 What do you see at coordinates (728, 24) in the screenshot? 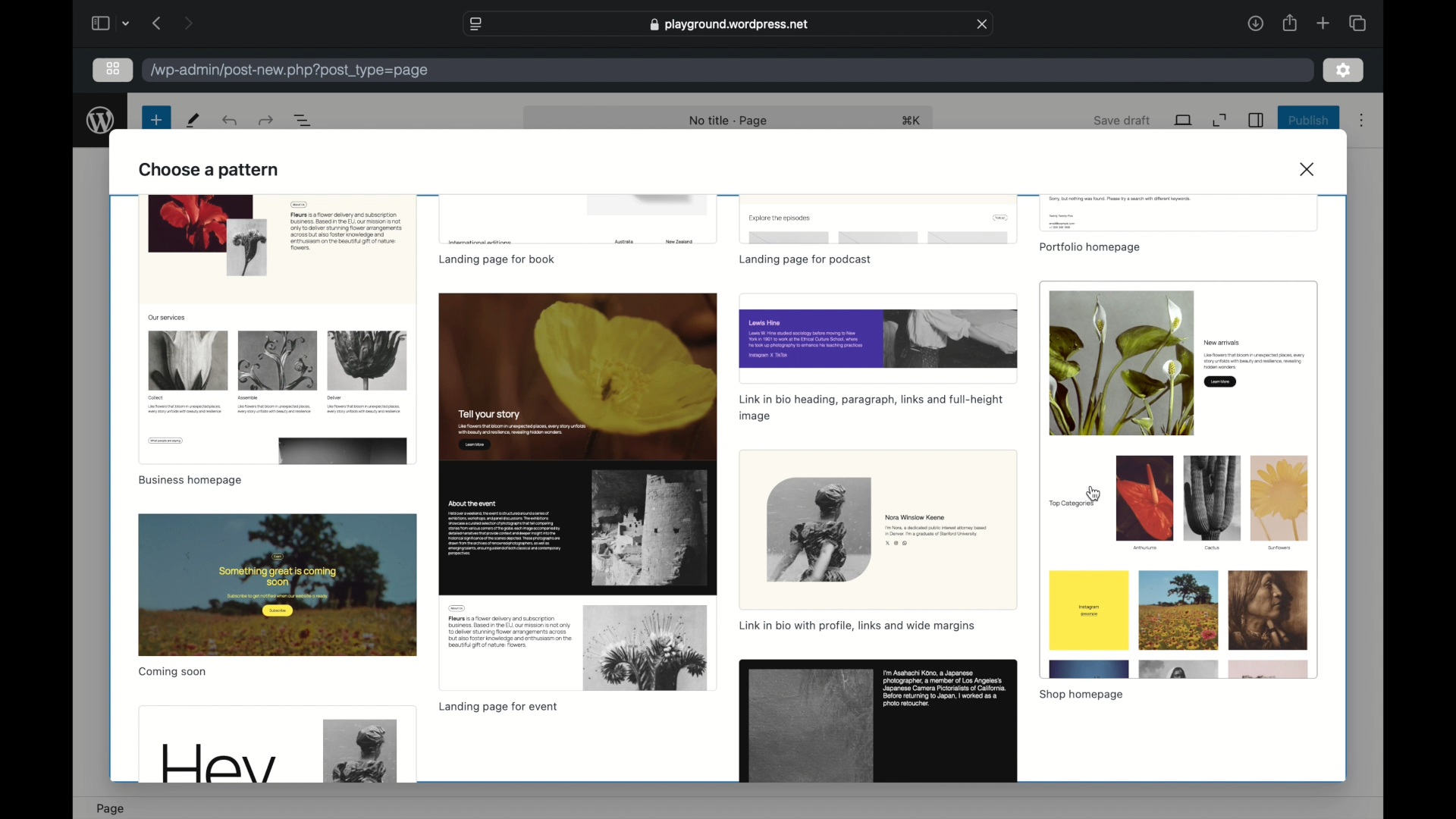
I see `web address` at bounding box center [728, 24].